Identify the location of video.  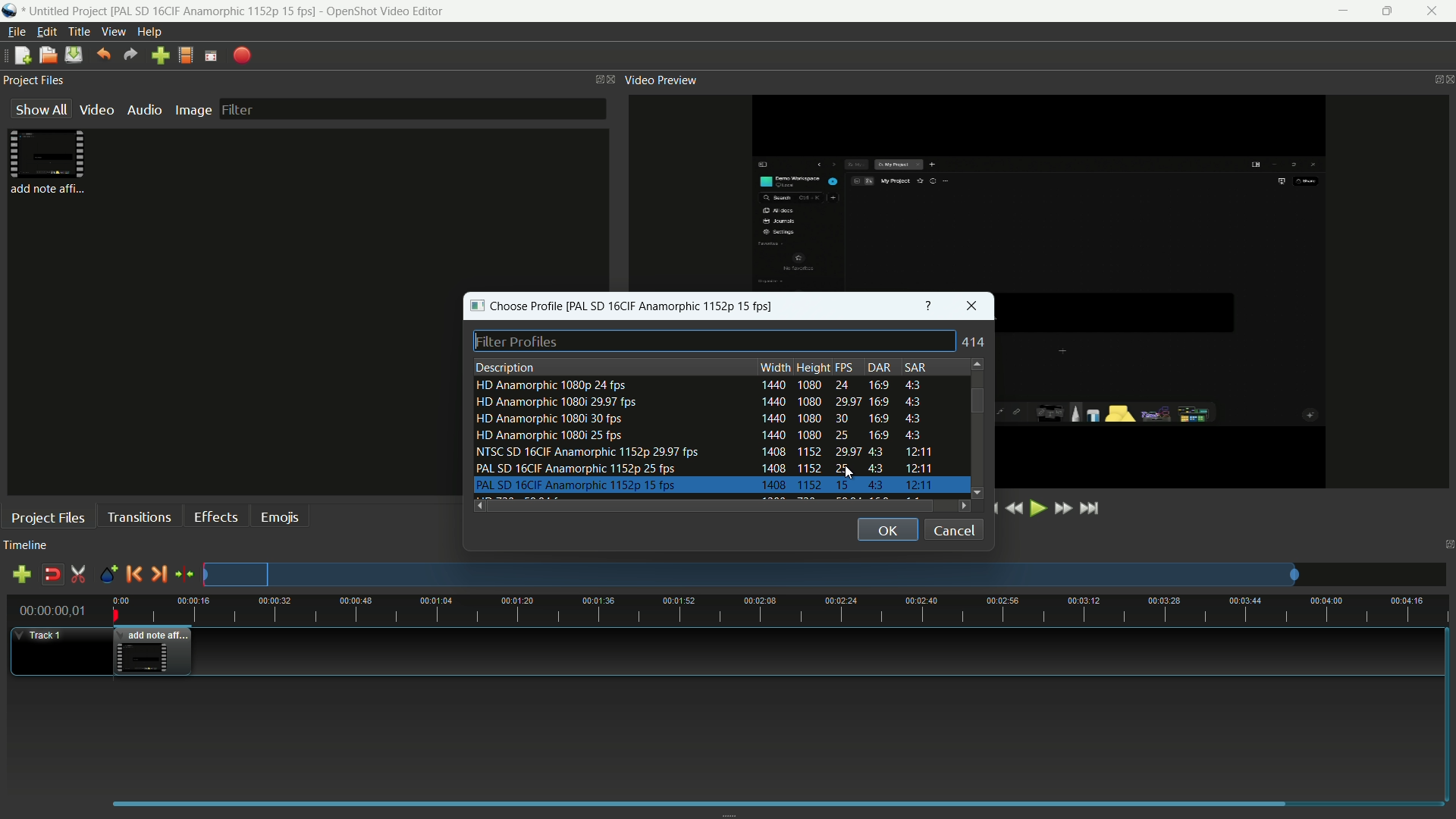
(95, 109).